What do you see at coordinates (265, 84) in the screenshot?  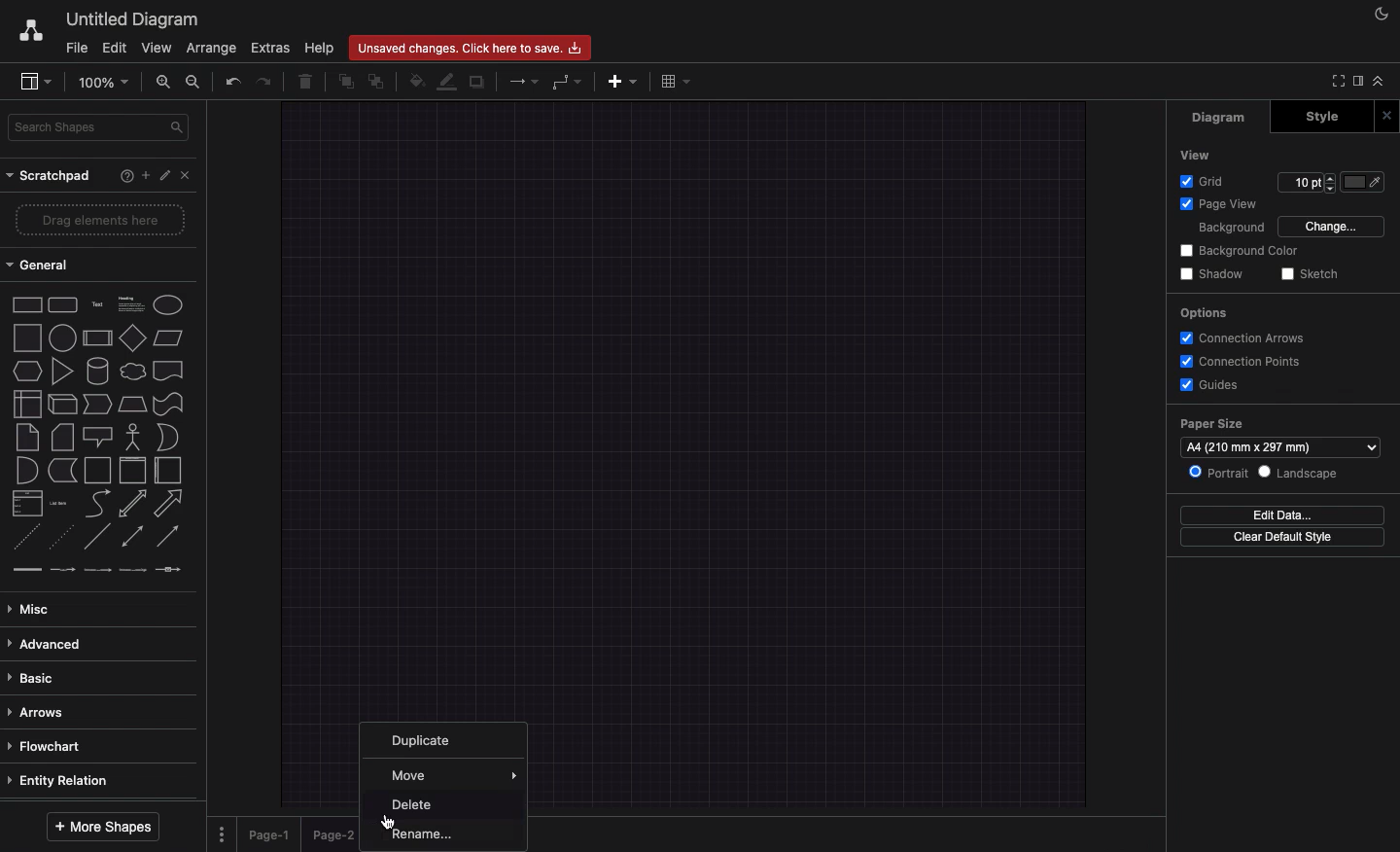 I see `Redo` at bounding box center [265, 84].